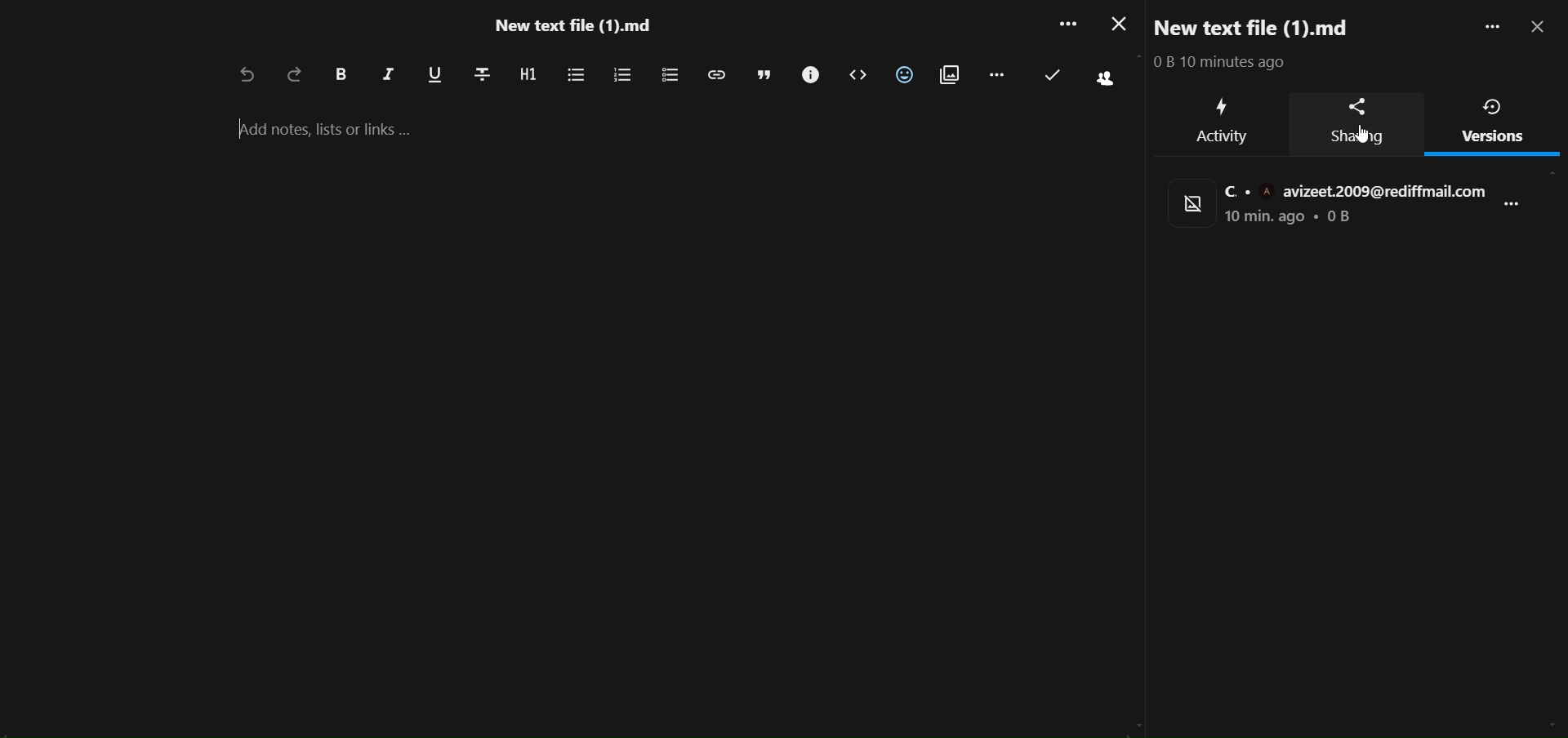 This screenshot has width=1568, height=738. Describe the element at coordinates (1224, 138) in the screenshot. I see `activity` at that location.